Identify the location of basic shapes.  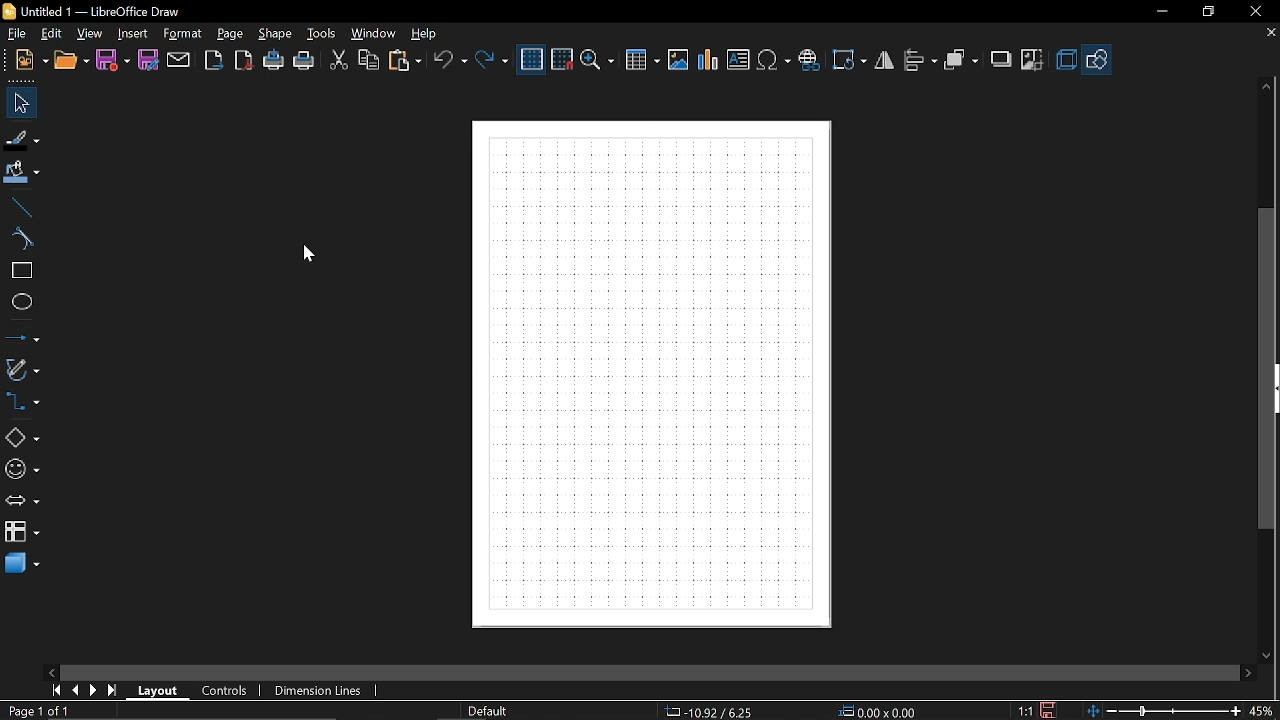
(22, 436).